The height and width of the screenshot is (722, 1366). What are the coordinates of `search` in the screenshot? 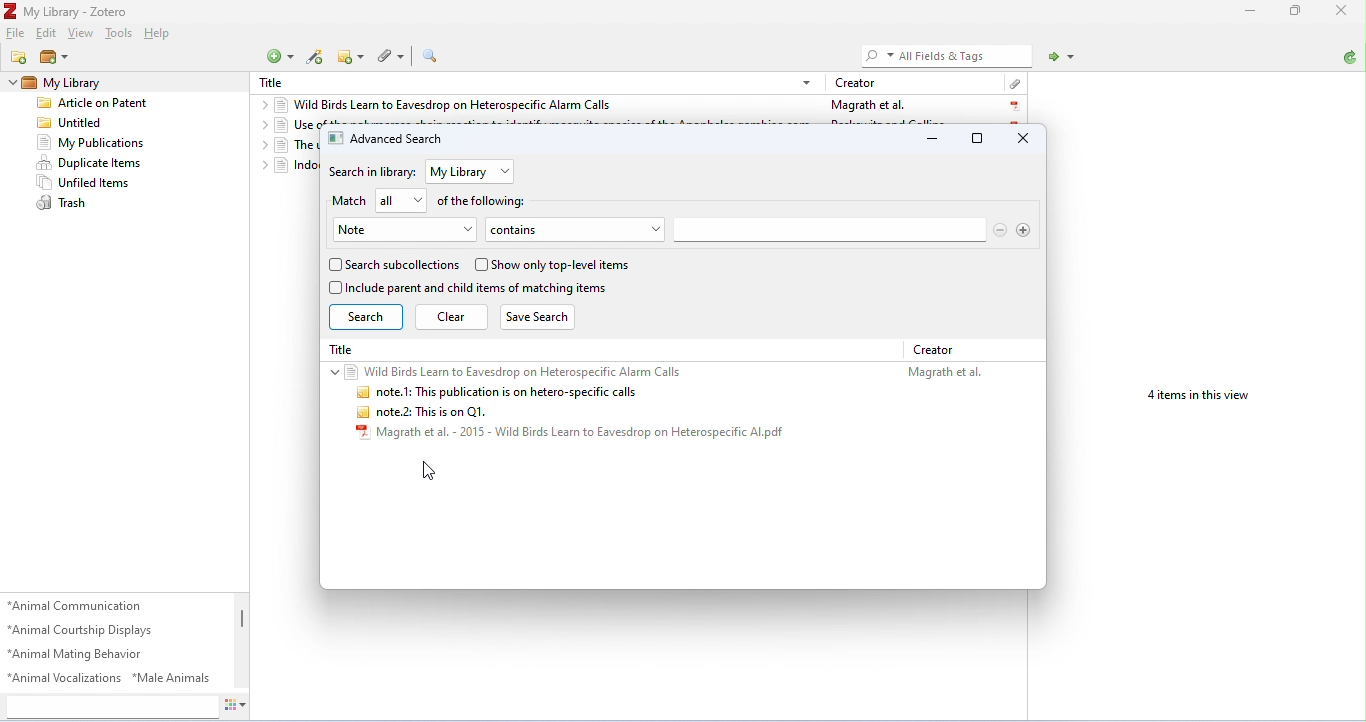 It's located at (365, 318).